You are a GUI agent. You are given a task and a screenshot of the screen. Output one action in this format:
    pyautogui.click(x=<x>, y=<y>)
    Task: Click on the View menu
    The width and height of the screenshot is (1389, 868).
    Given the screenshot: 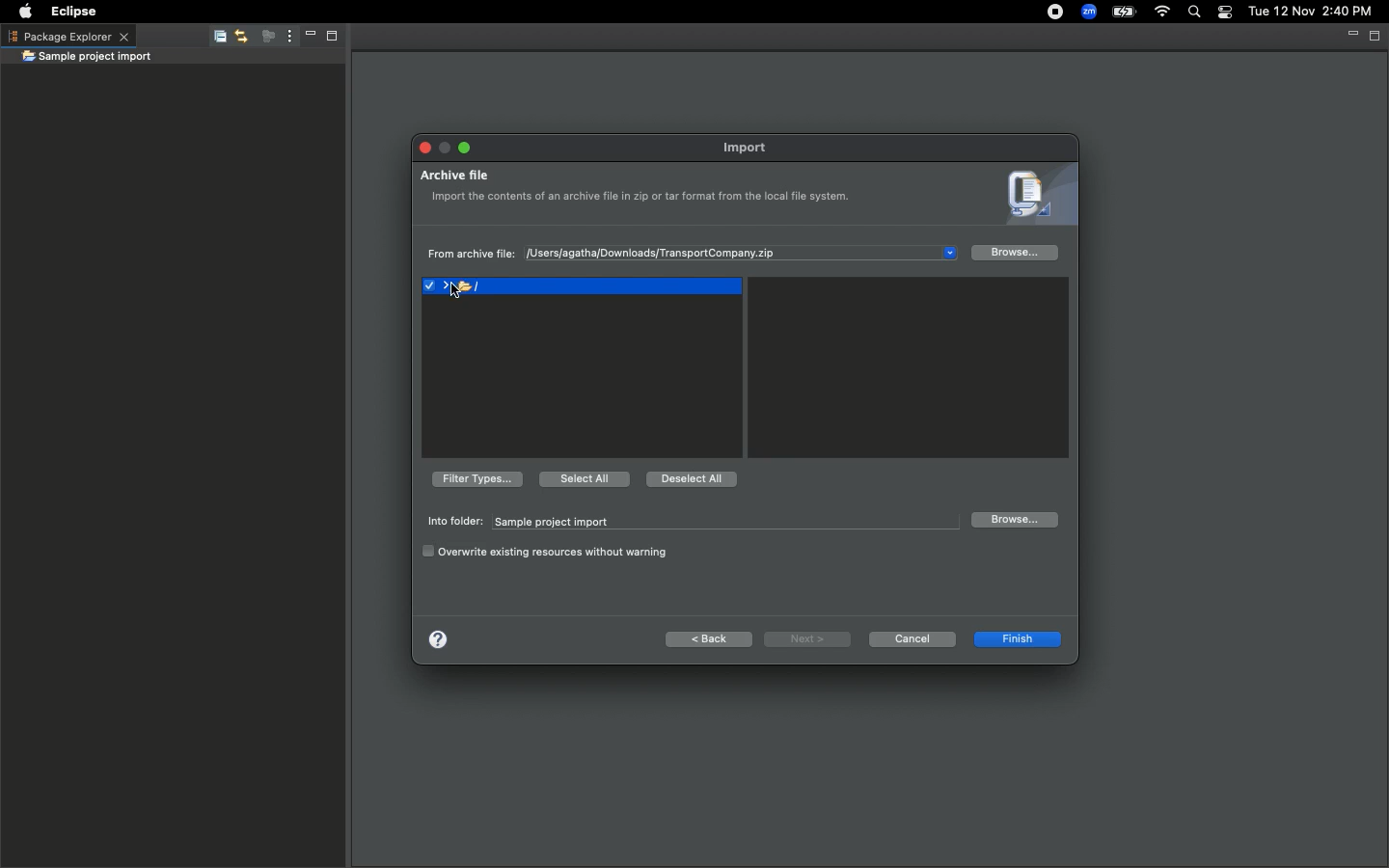 What is the action you would take?
    pyautogui.click(x=286, y=37)
    